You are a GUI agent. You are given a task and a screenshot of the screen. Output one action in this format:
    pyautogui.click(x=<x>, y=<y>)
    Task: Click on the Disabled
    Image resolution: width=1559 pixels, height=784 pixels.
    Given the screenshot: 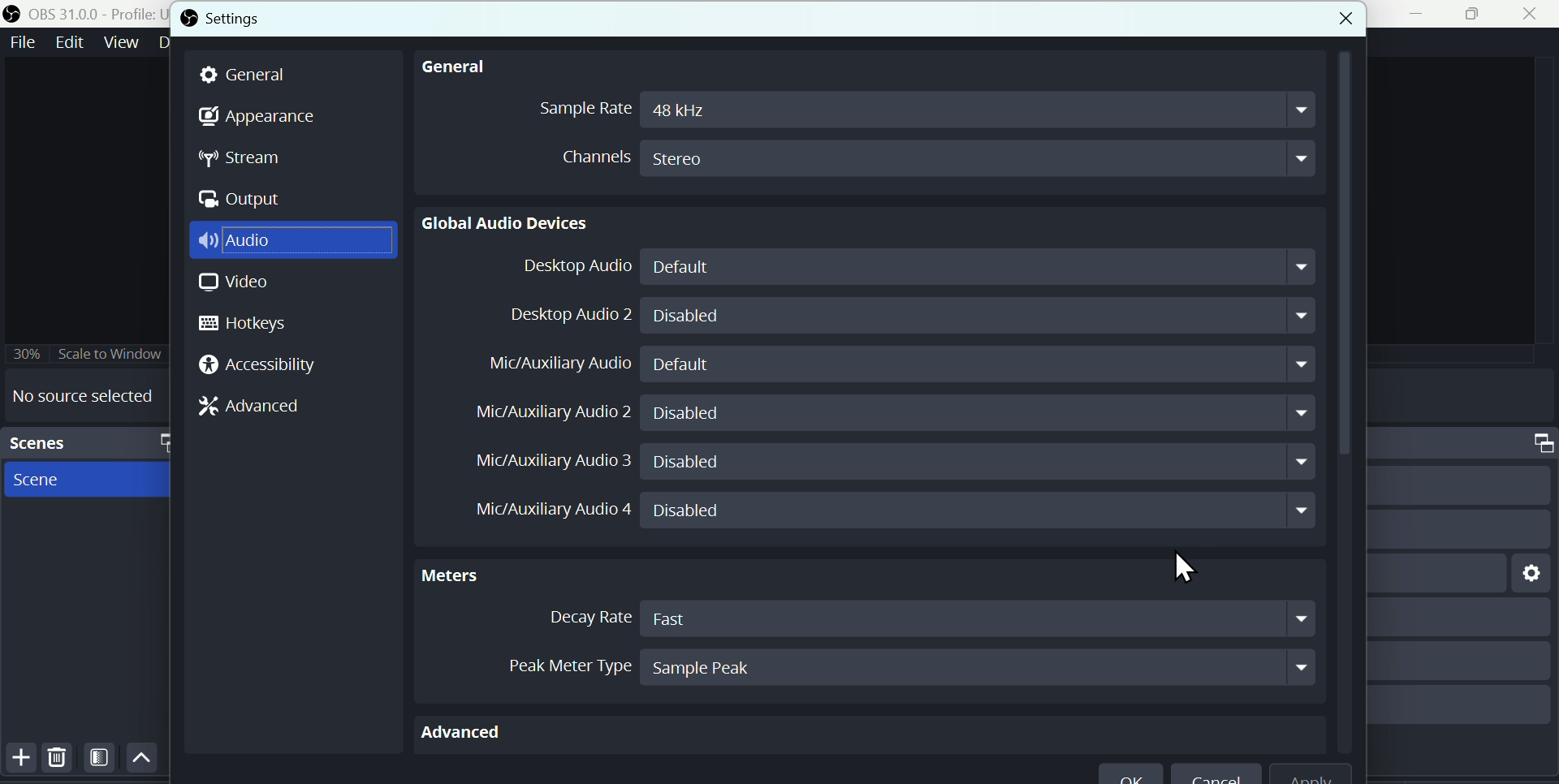 What is the action you would take?
    pyautogui.click(x=981, y=315)
    